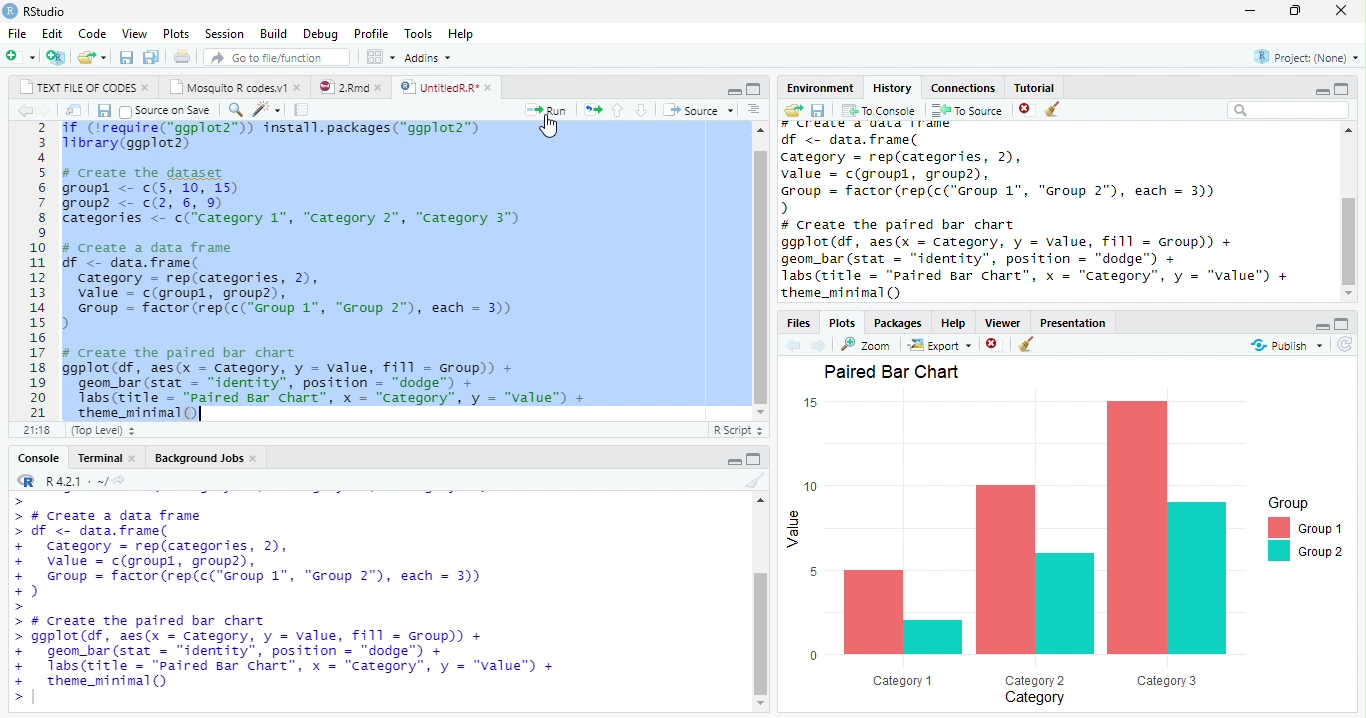  What do you see at coordinates (266, 110) in the screenshot?
I see `code tools` at bounding box center [266, 110].